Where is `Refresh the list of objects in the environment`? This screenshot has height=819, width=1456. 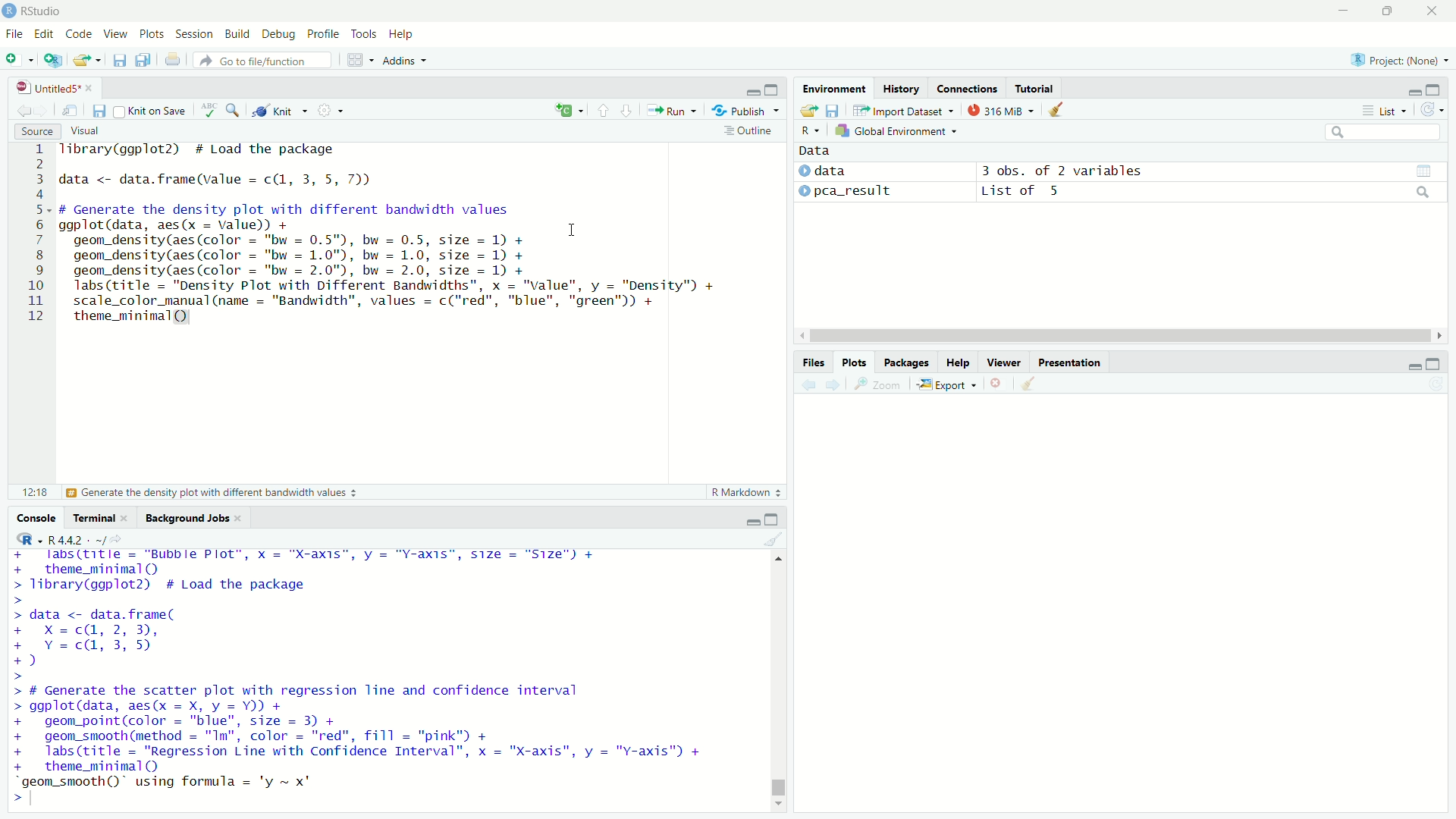
Refresh the list of objects in the environment is located at coordinates (1431, 109).